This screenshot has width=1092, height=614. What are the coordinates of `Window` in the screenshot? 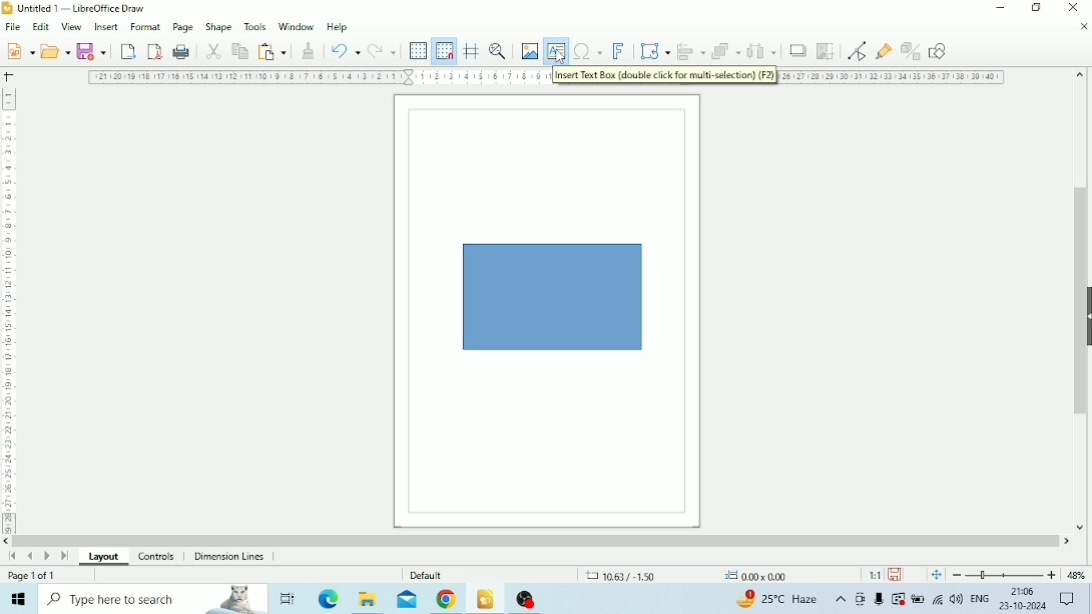 It's located at (297, 28).